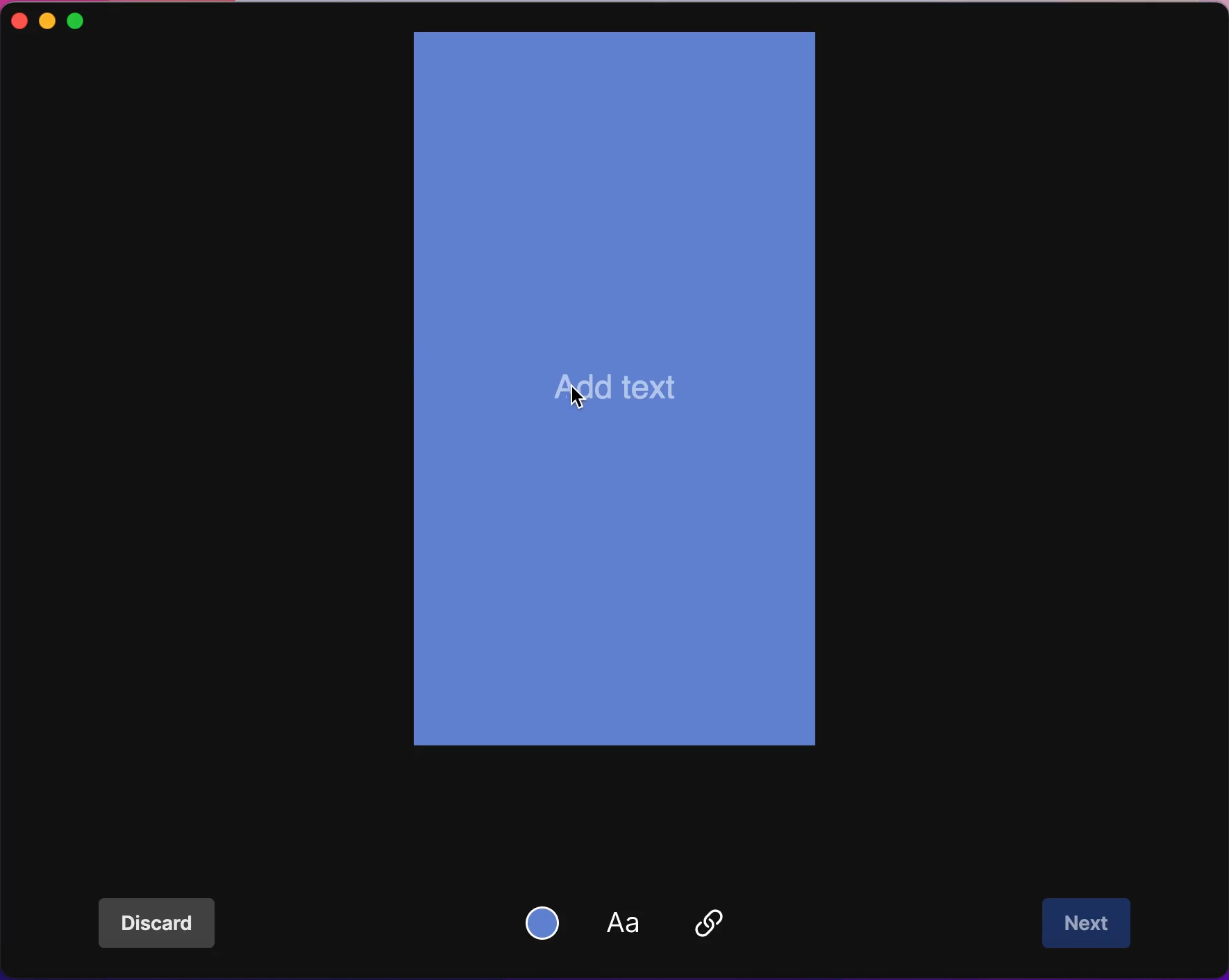  Describe the element at coordinates (581, 397) in the screenshot. I see `cursor` at that location.